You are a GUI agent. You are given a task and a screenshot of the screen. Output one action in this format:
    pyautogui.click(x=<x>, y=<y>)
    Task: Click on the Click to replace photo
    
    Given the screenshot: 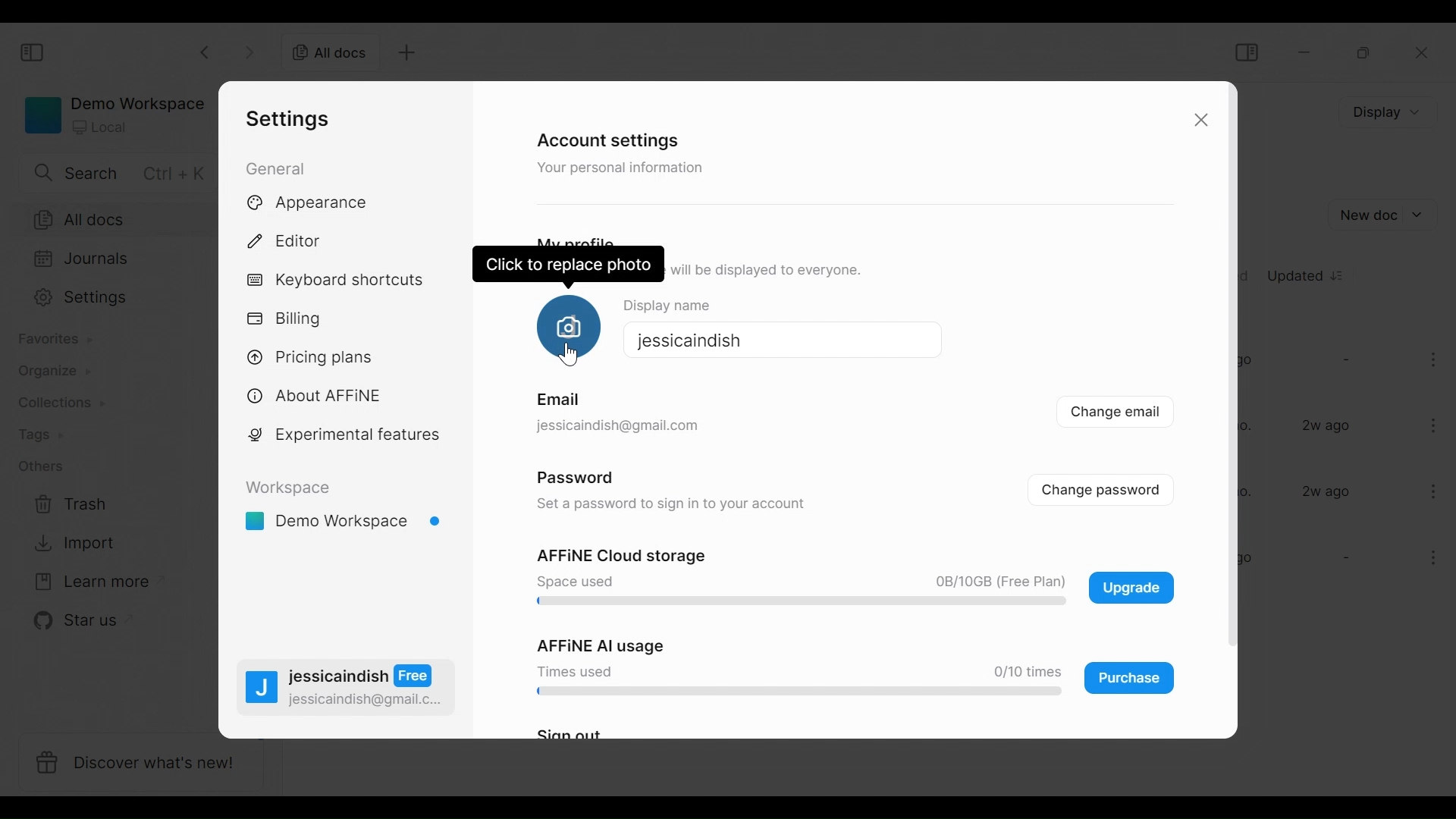 What is the action you would take?
    pyautogui.click(x=571, y=263)
    